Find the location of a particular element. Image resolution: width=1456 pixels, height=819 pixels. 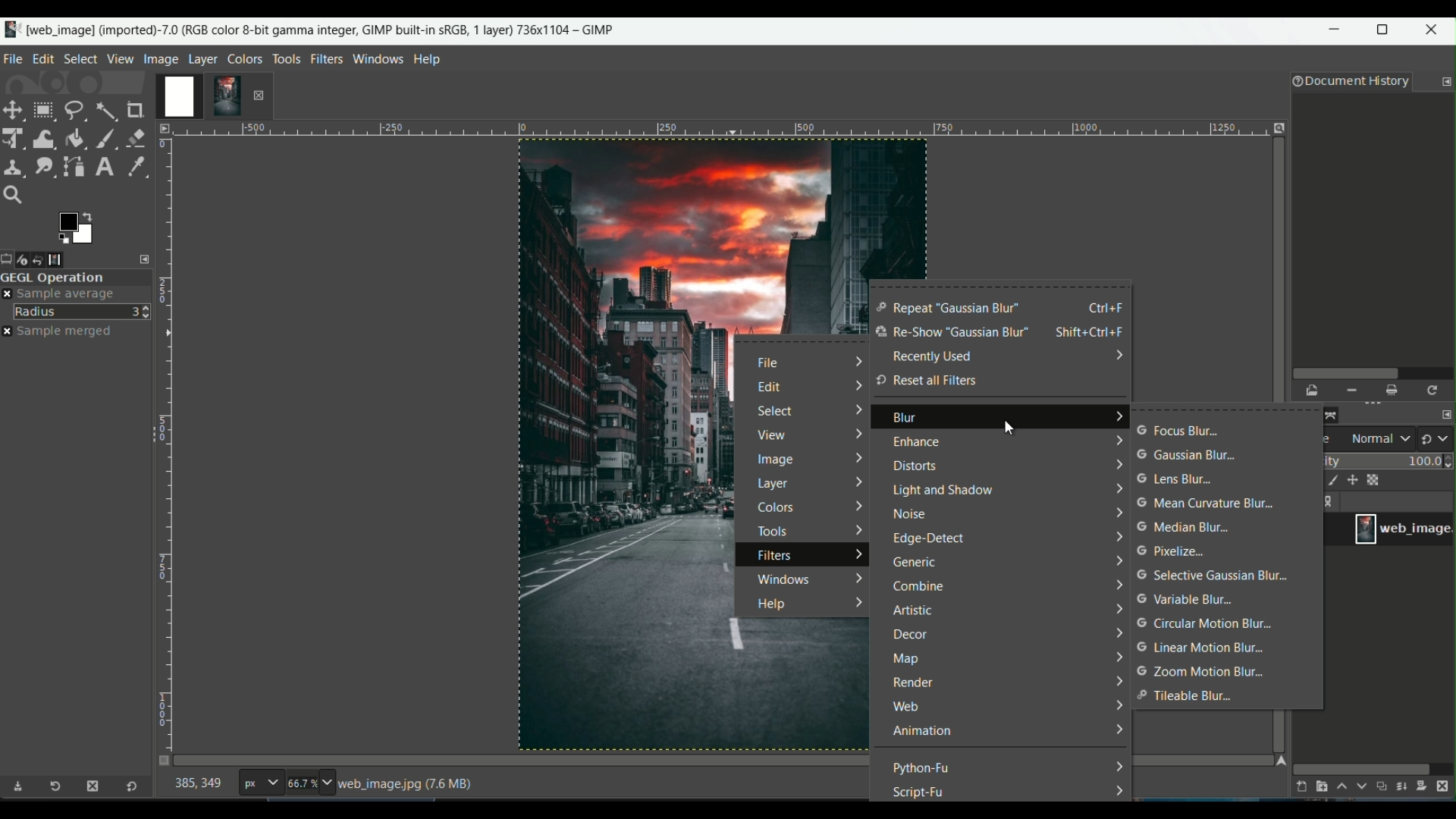

cursor is located at coordinates (1011, 426).